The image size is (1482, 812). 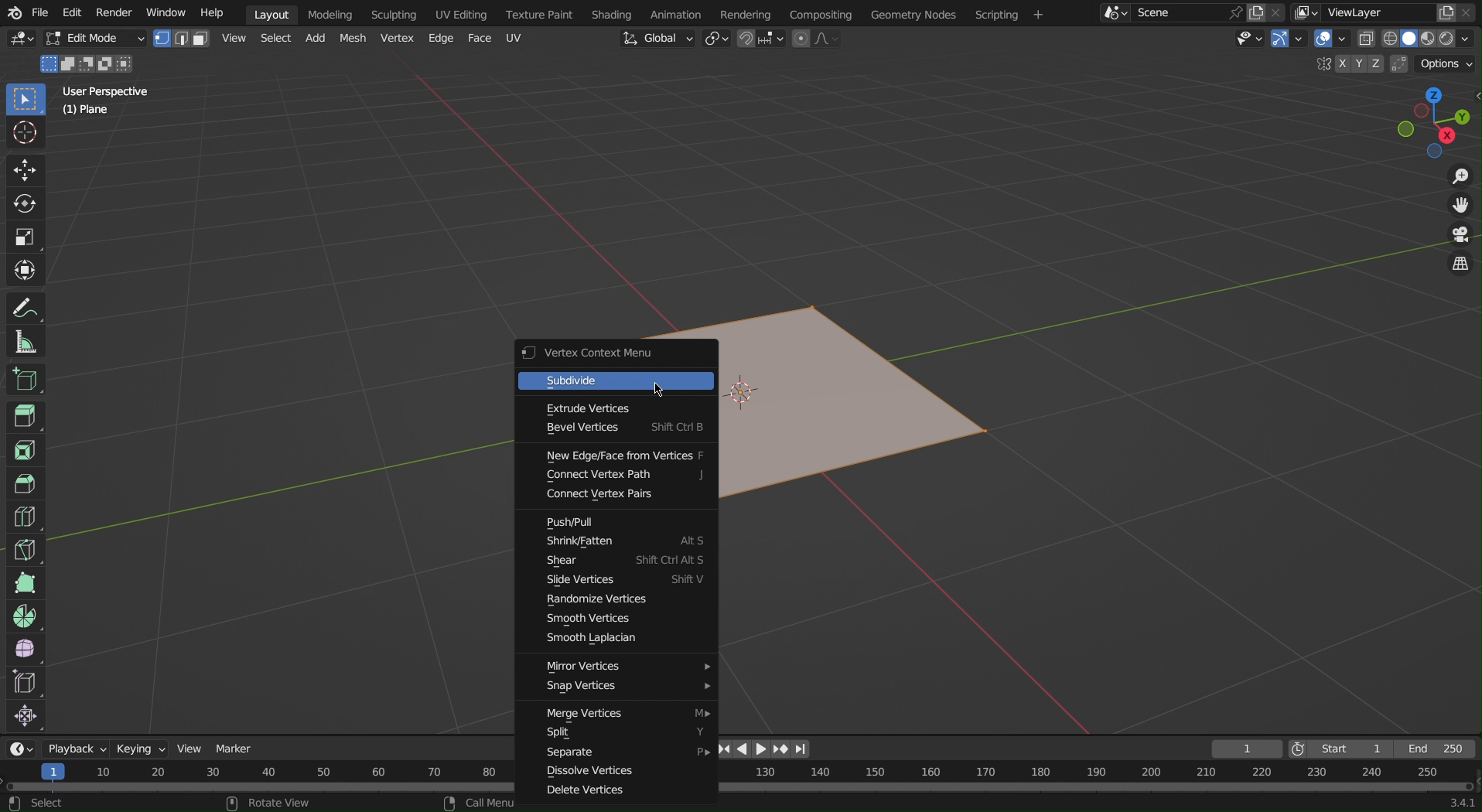 I want to click on Toggle View, so click(x=1460, y=266).